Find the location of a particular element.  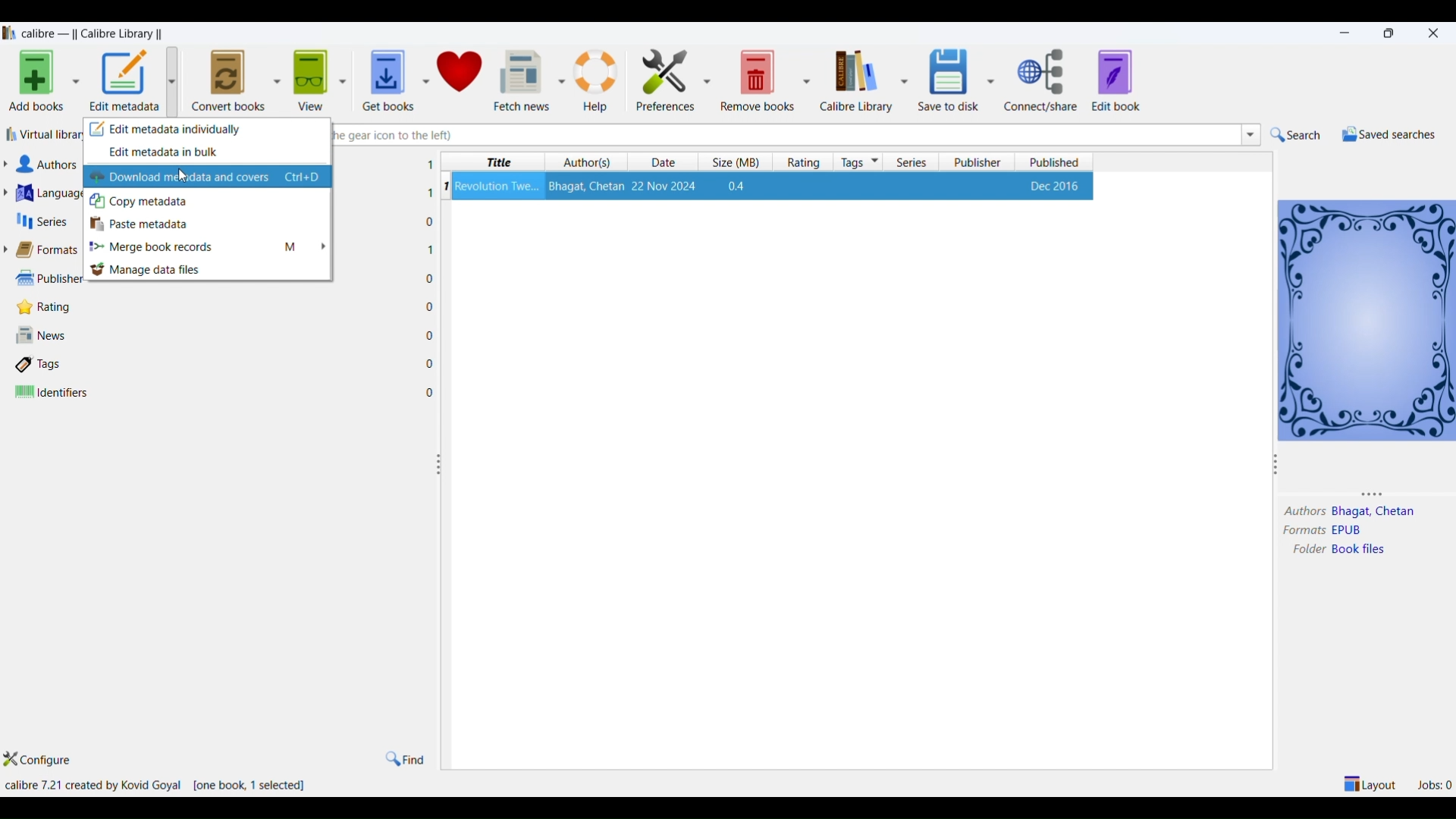

0 is located at coordinates (431, 279).